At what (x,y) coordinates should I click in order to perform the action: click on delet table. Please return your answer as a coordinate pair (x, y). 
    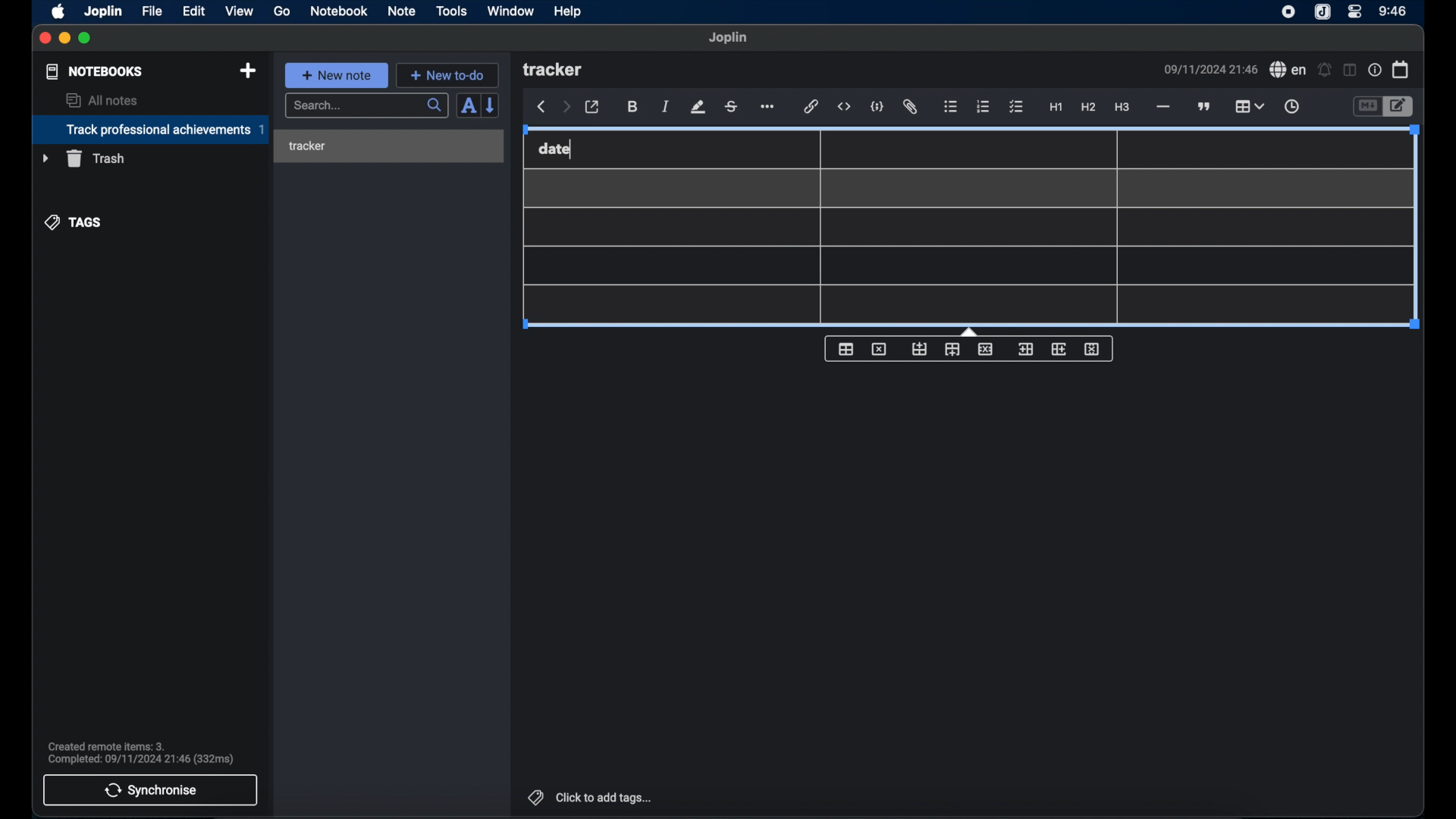
    Looking at the image, I should click on (879, 348).